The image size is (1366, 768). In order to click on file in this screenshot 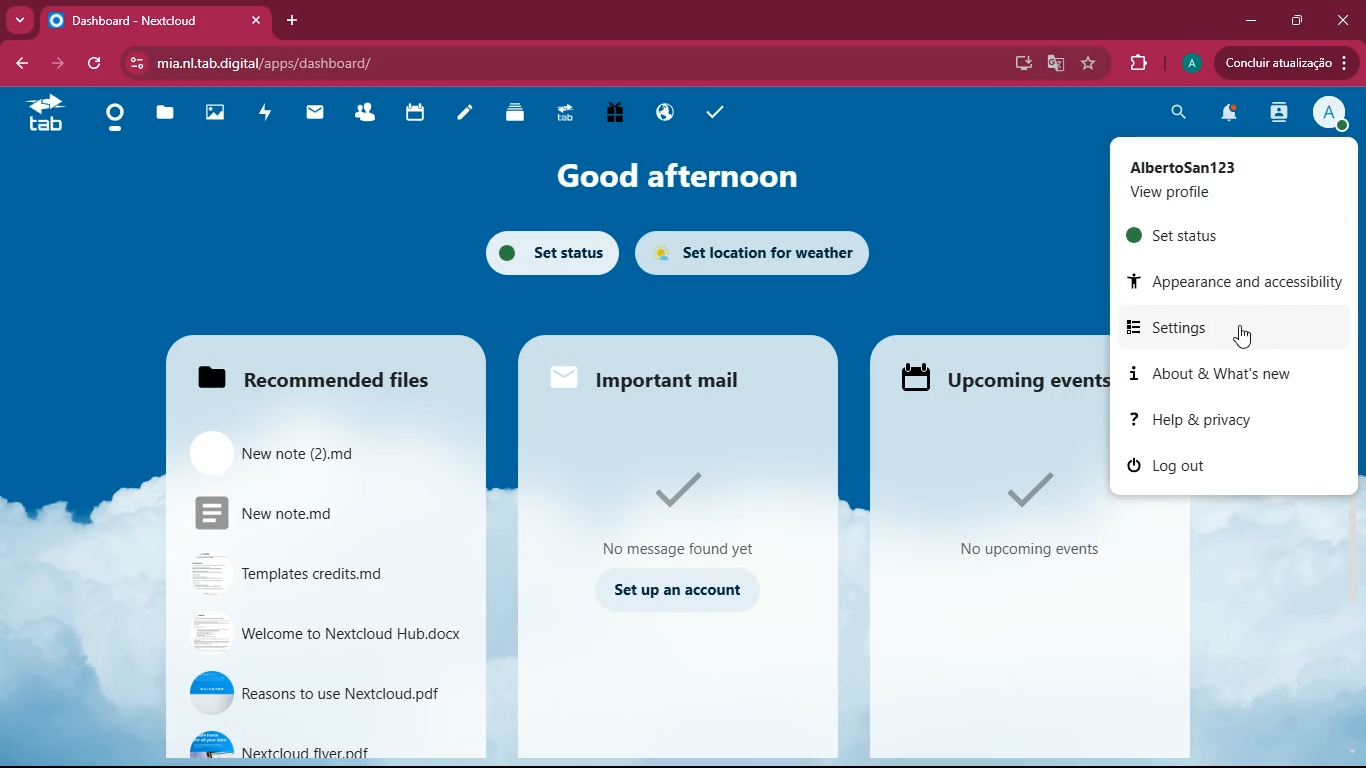, I will do `click(324, 633)`.